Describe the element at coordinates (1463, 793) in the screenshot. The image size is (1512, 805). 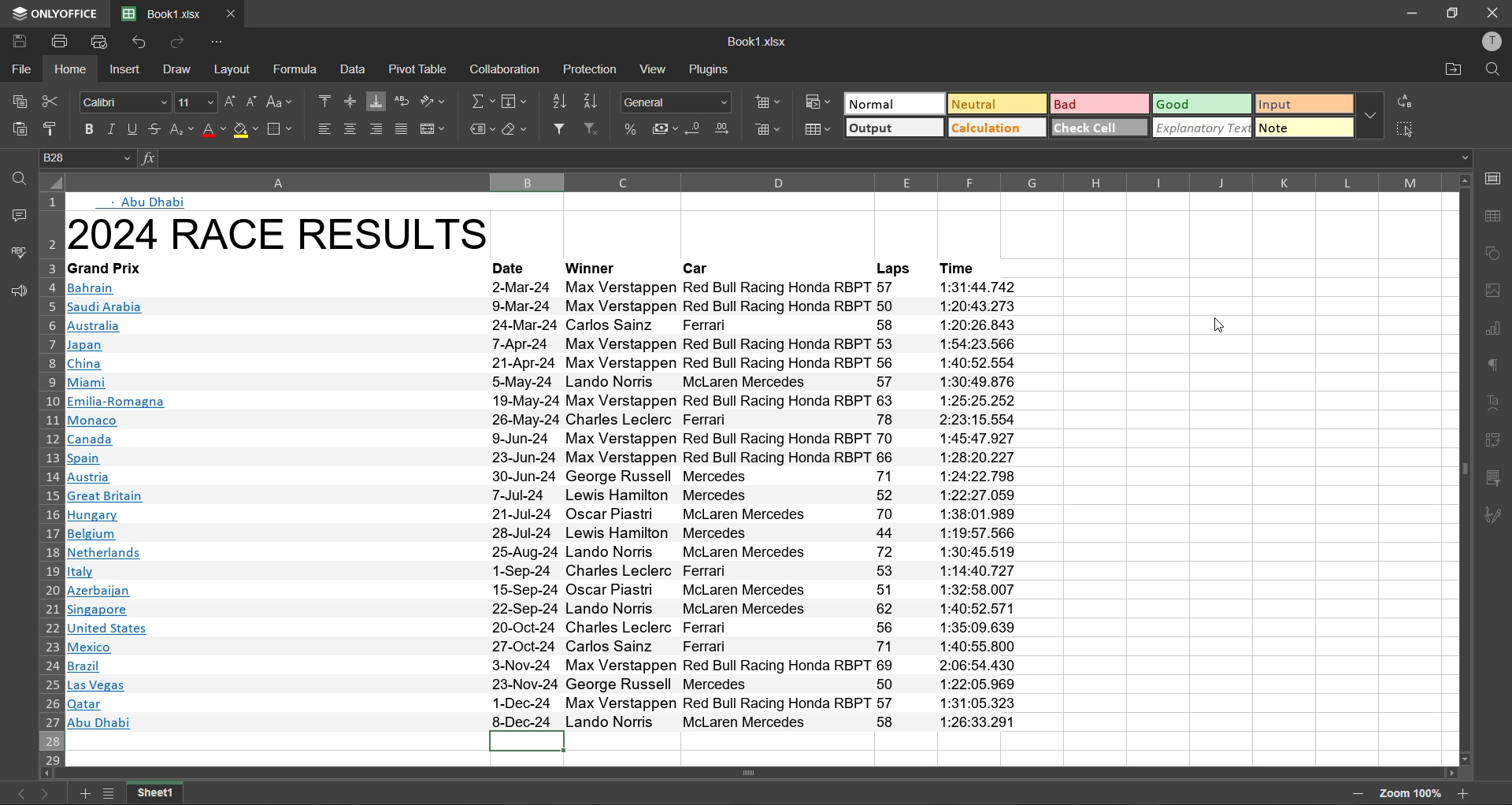
I see `zoom in` at that location.